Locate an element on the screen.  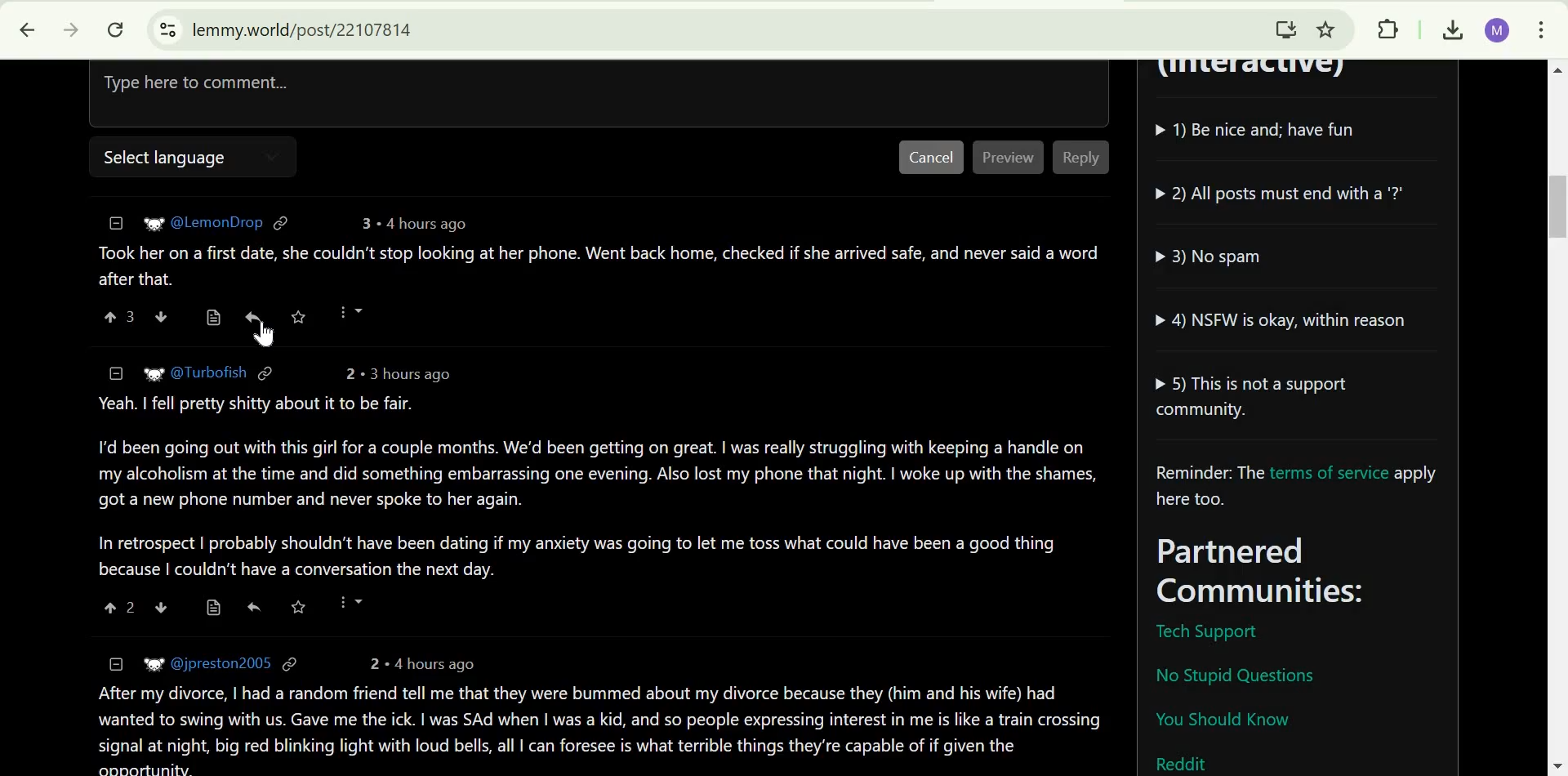
downvote is located at coordinates (160, 317).